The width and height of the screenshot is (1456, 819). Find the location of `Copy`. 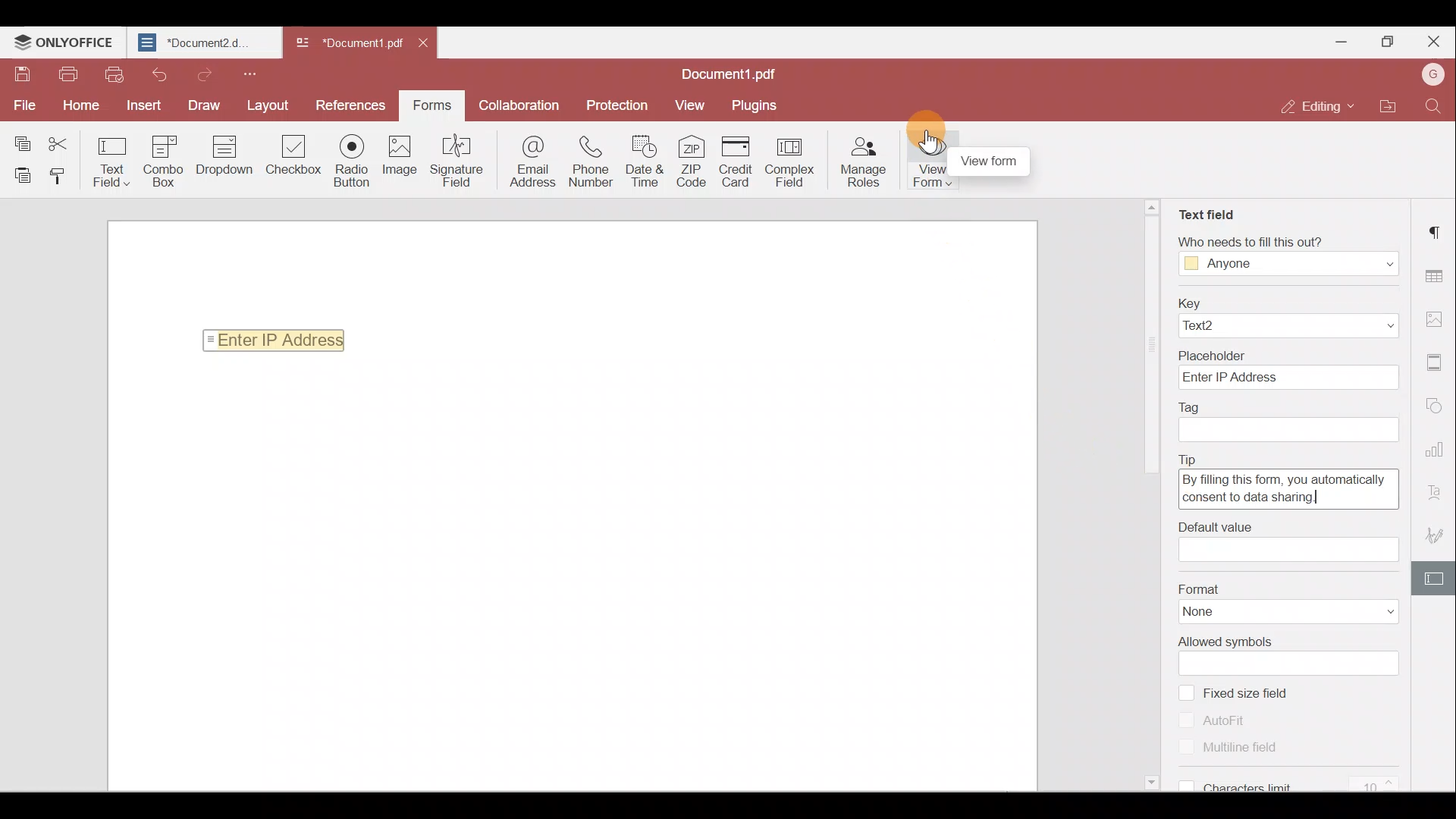

Copy is located at coordinates (21, 138).